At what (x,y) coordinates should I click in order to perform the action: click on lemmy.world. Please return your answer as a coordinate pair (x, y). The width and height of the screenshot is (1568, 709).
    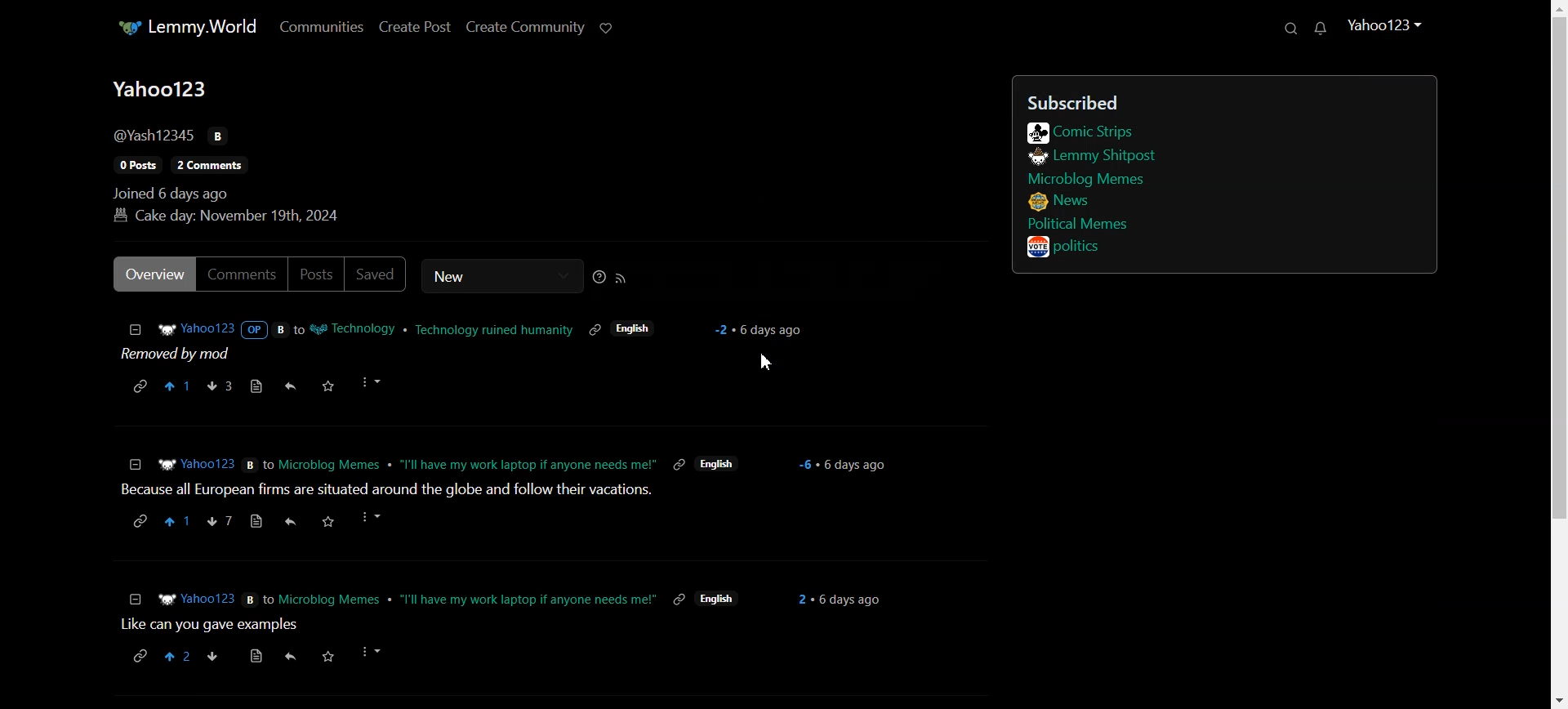
    Looking at the image, I should click on (186, 27).